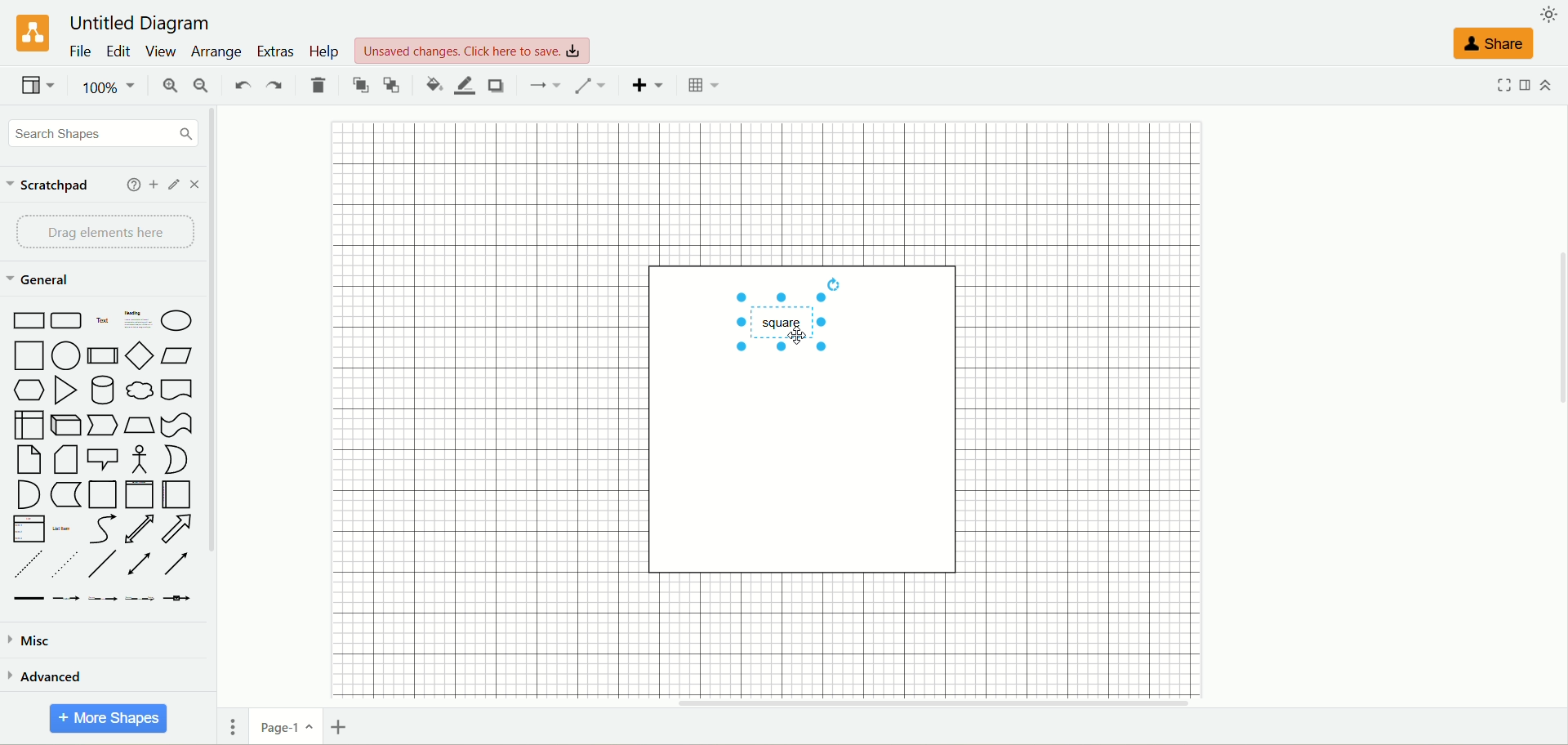 Image resolution: width=1568 pixels, height=745 pixels. What do you see at coordinates (430, 85) in the screenshot?
I see `fill color` at bounding box center [430, 85].